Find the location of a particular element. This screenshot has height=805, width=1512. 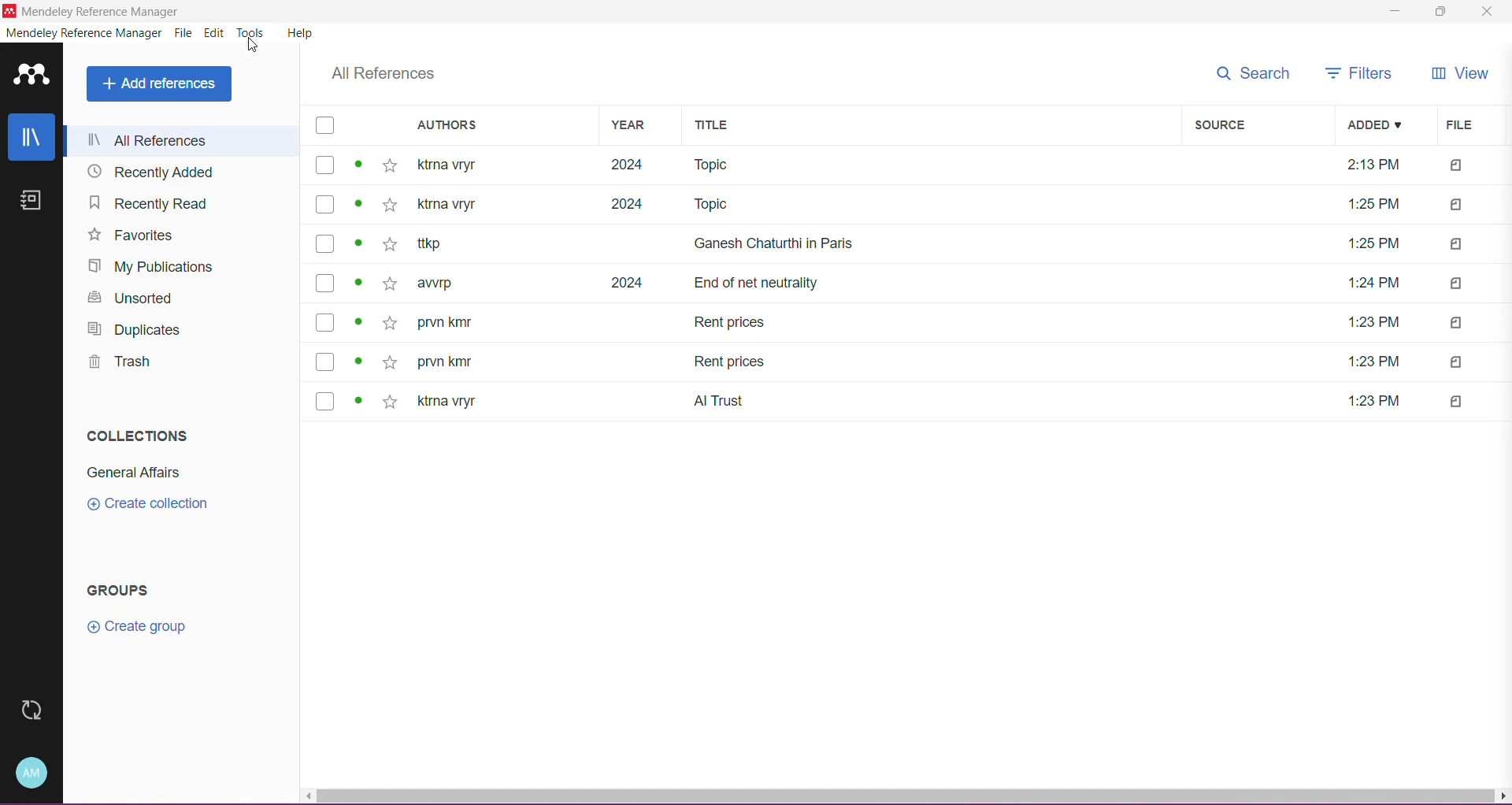

author is located at coordinates (448, 327).